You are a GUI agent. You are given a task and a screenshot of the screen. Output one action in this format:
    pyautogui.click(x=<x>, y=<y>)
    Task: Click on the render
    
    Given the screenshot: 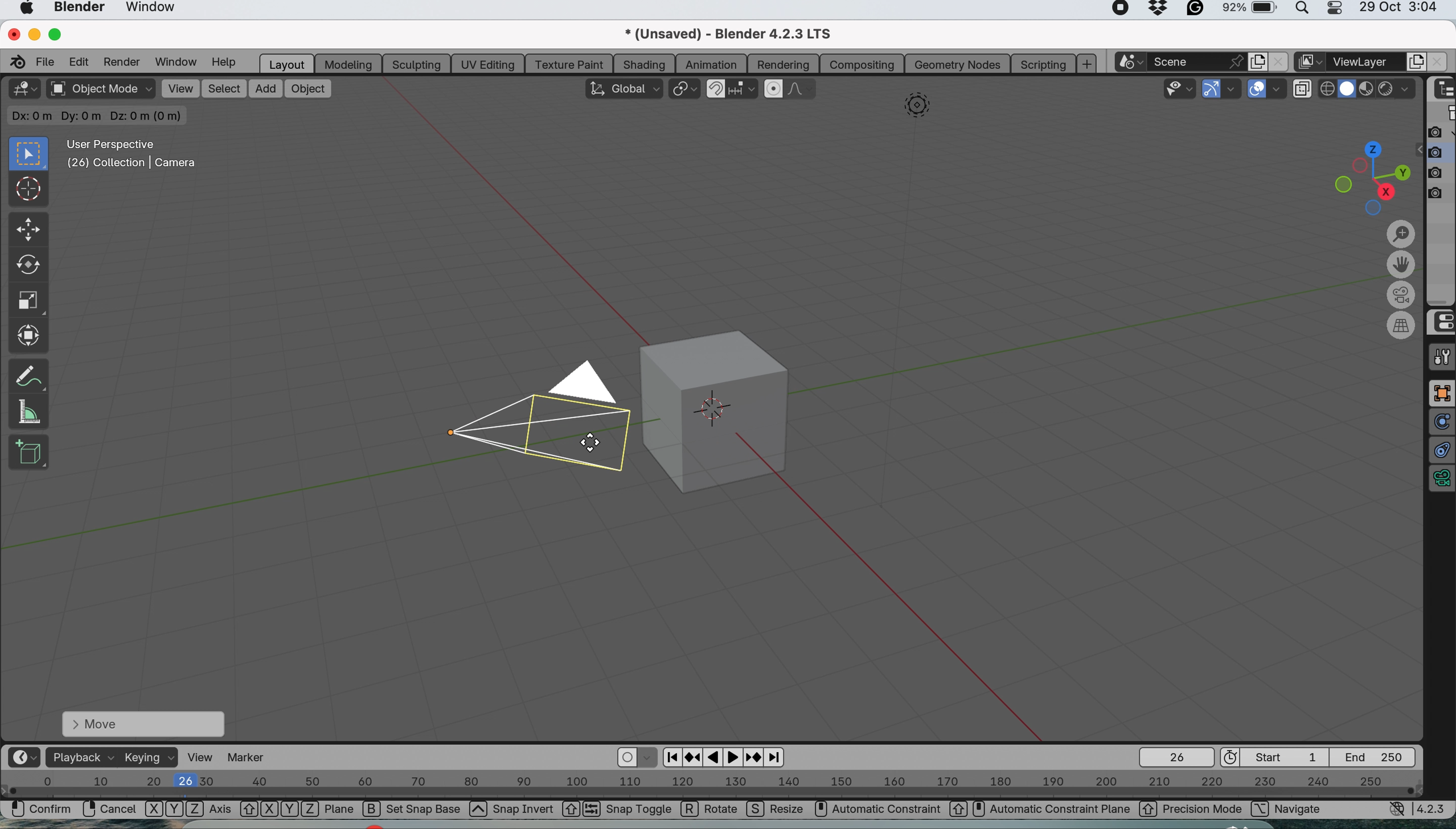 What is the action you would take?
    pyautogui.click(x=121, y=62)
    